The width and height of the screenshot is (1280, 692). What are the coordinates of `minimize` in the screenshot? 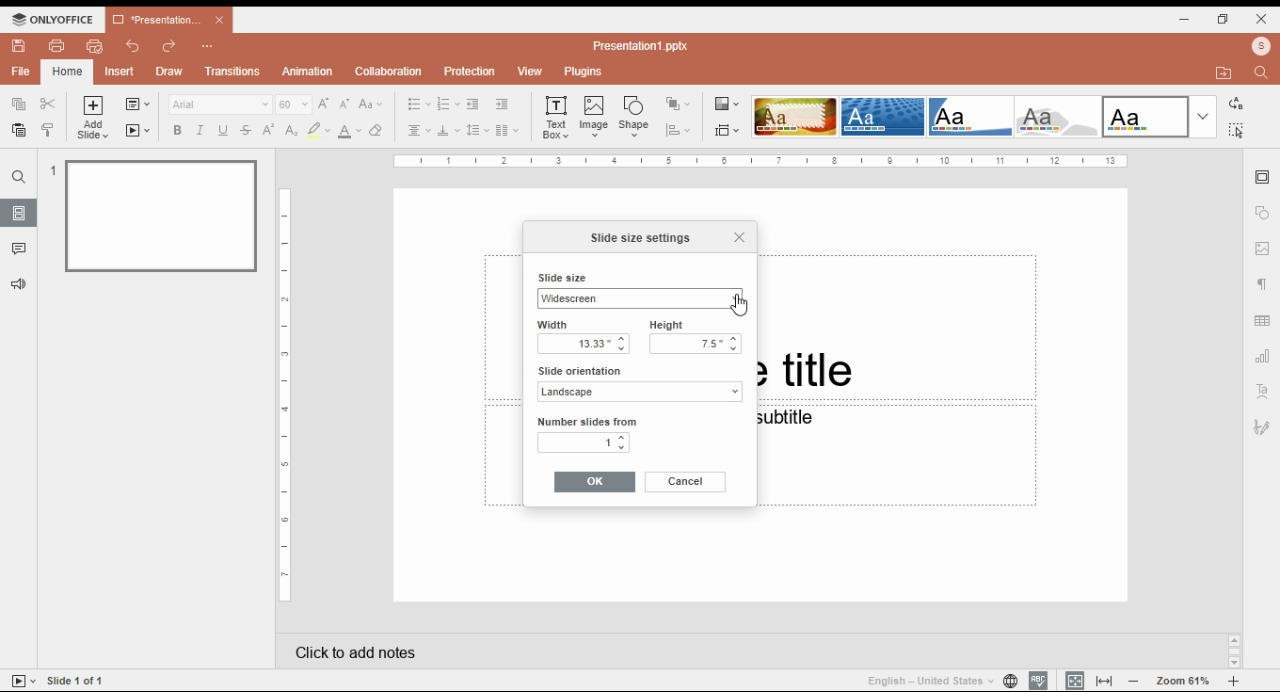 It's located at (1185, 18).